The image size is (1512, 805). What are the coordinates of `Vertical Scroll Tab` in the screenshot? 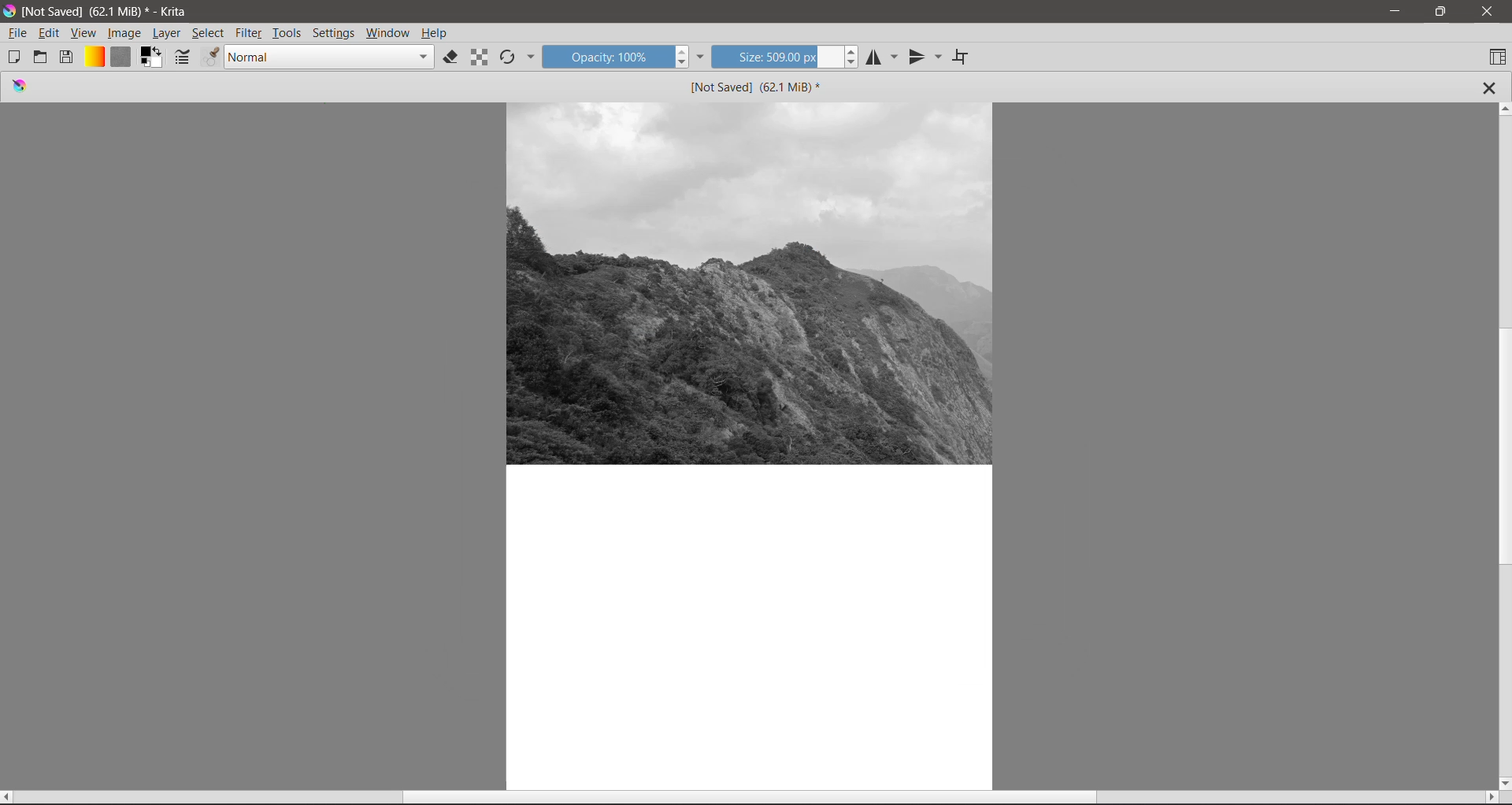 It's located at (1503, 445).